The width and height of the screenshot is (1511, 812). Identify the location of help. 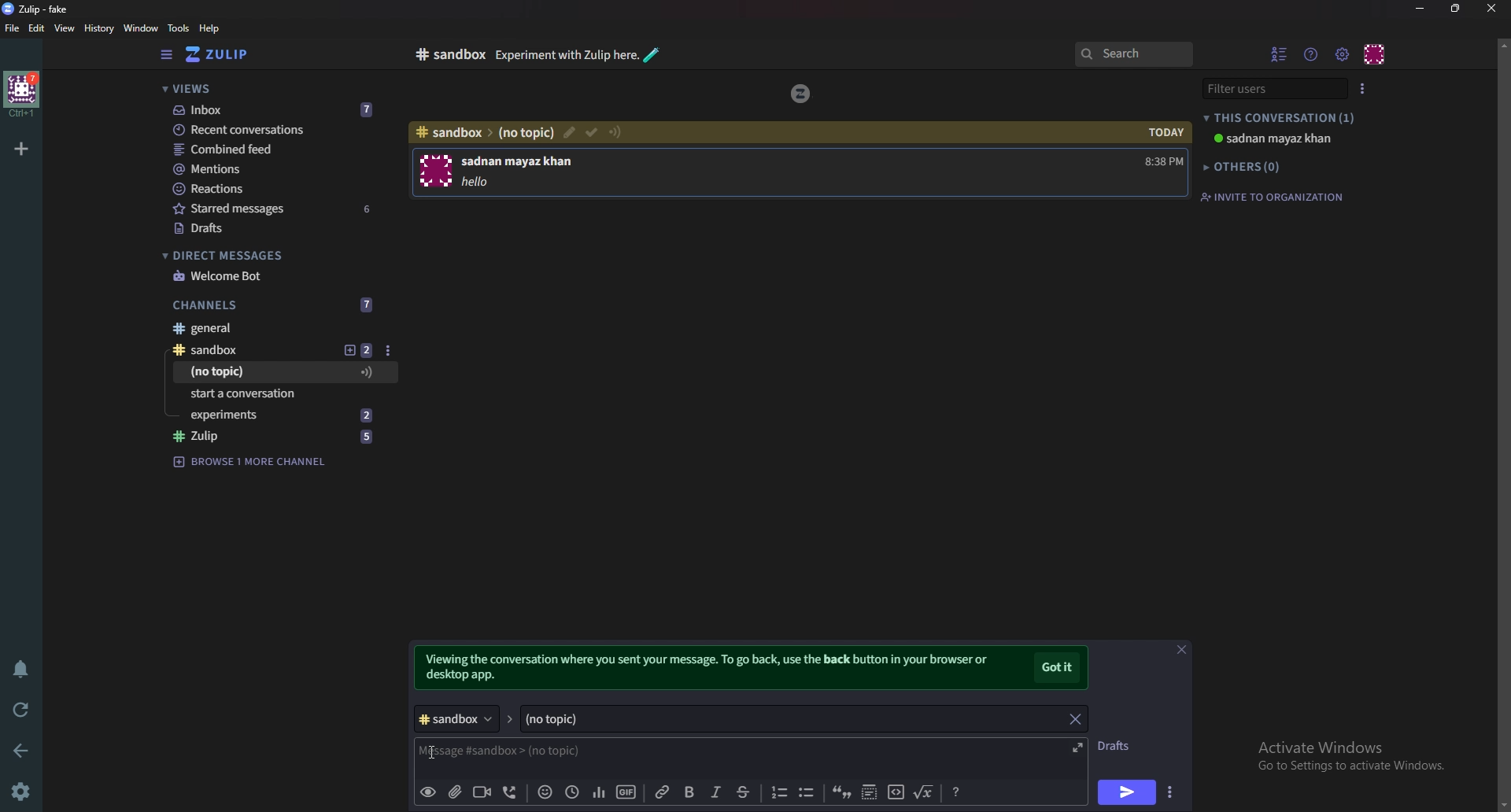
(209, 29).